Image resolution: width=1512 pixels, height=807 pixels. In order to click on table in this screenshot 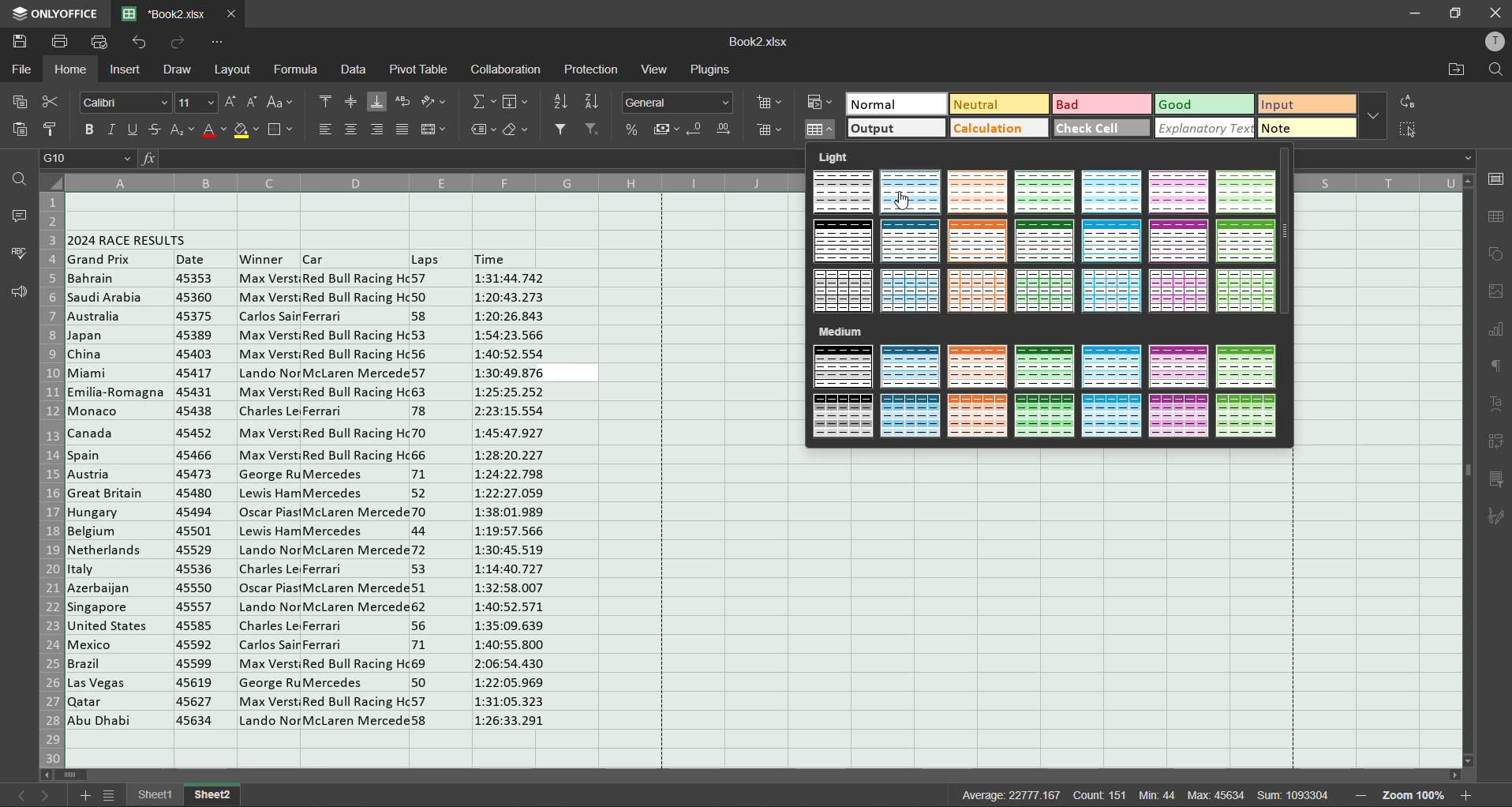, I will do `click(1493, 220)`.